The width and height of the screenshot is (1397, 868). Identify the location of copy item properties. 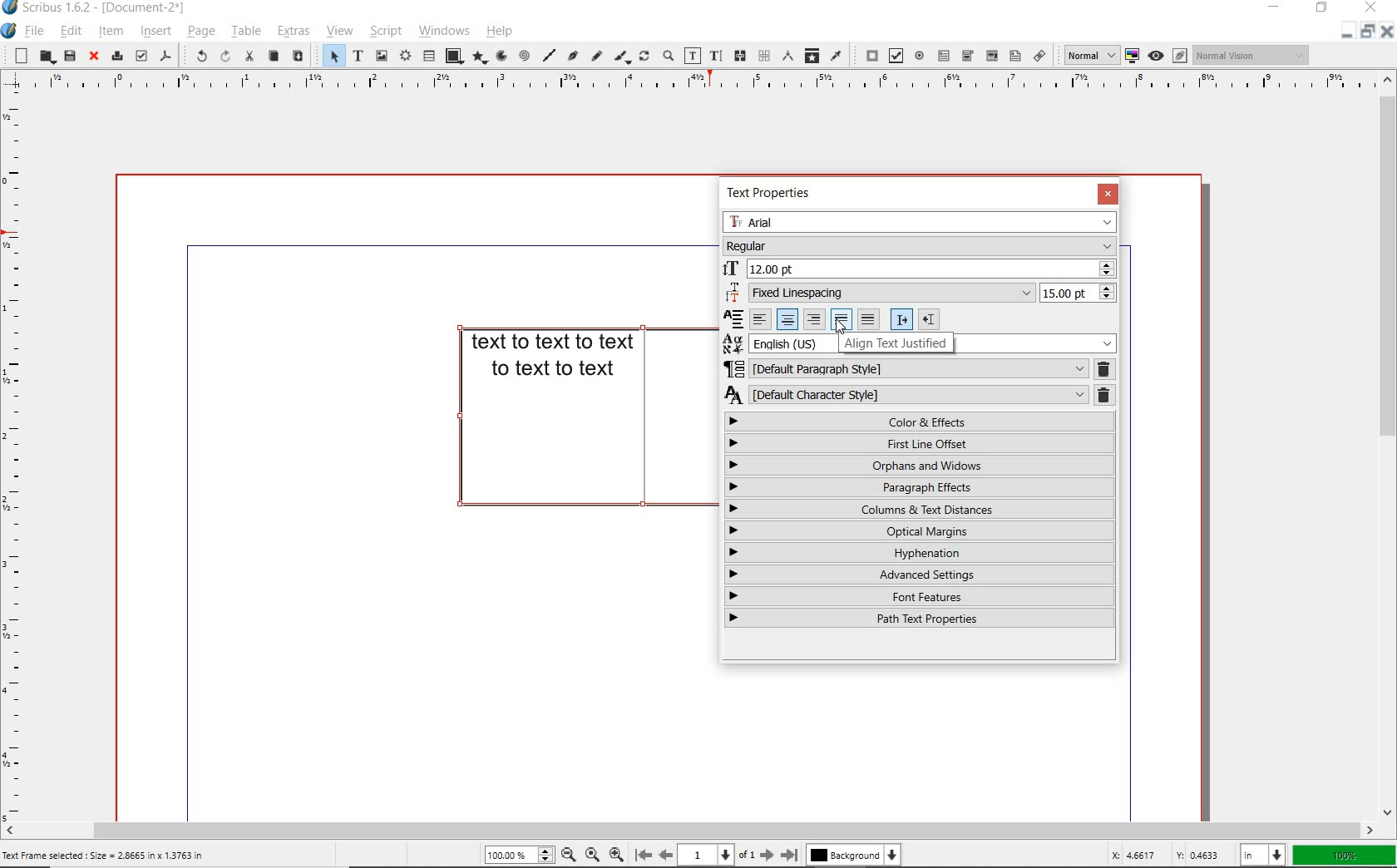
(811, 55).